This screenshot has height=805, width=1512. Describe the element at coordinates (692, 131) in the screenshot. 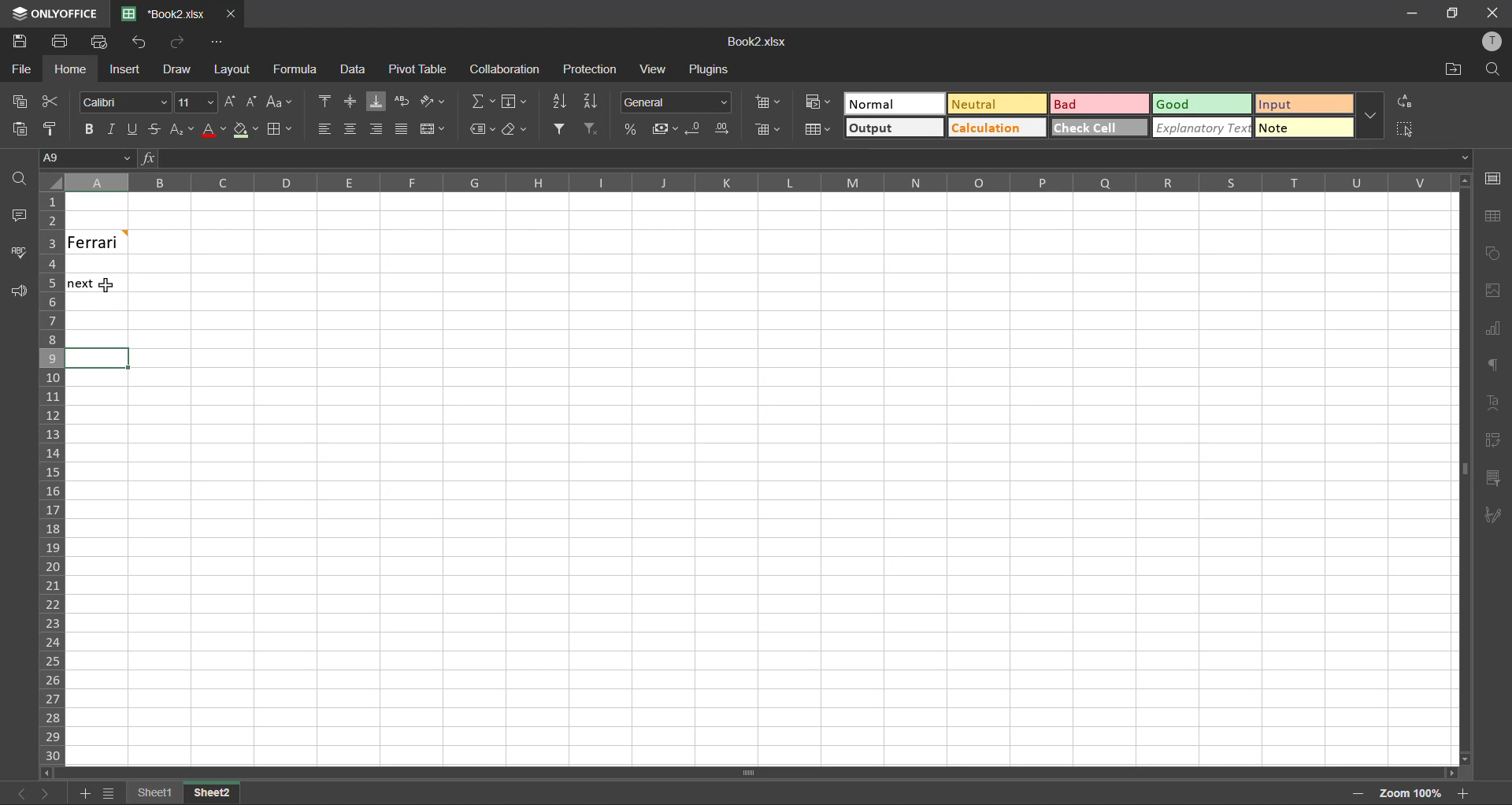

I see `decrease decimal` at that location.